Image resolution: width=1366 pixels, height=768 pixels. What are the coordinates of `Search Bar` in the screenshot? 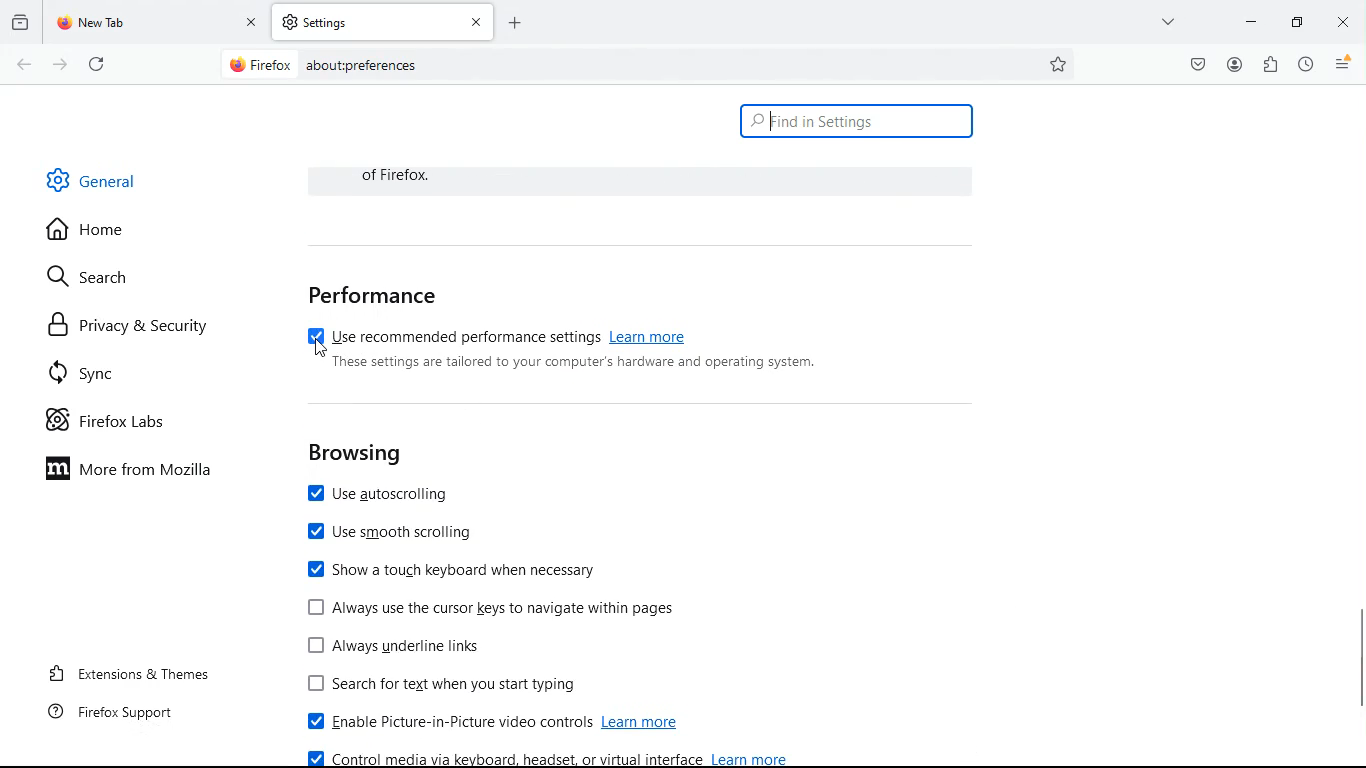 It's located at (646, 63).